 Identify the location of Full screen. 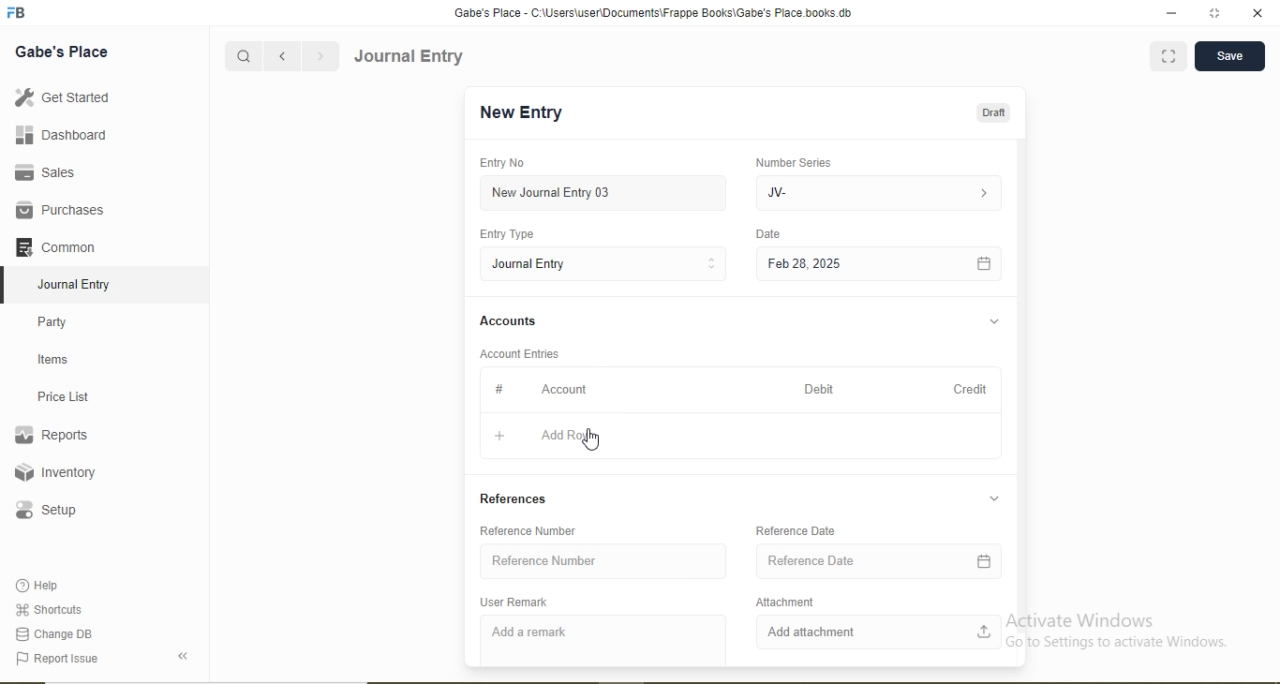
(1169, 55).